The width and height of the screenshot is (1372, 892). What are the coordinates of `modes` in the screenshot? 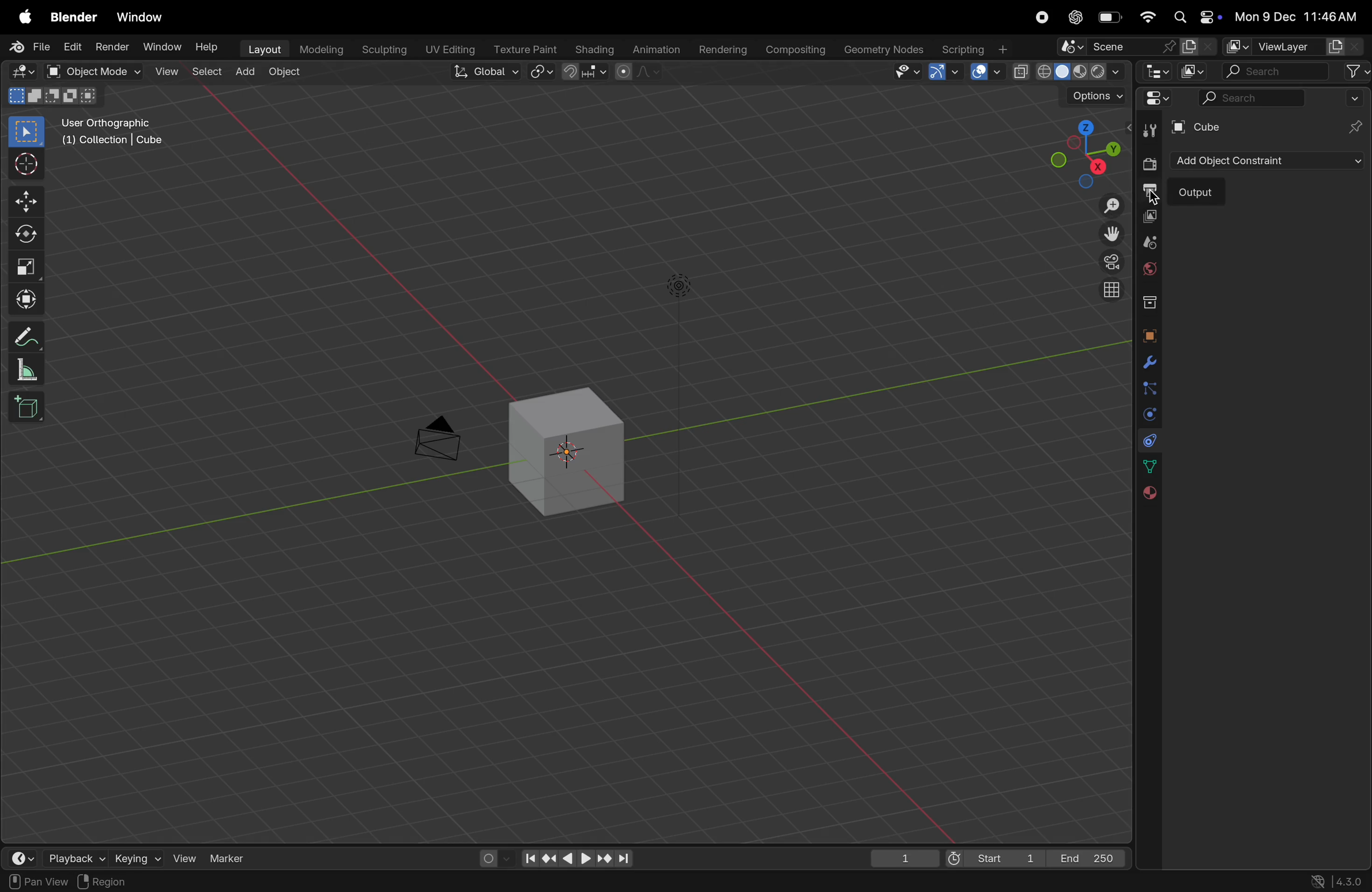 It's located at (58, 95).